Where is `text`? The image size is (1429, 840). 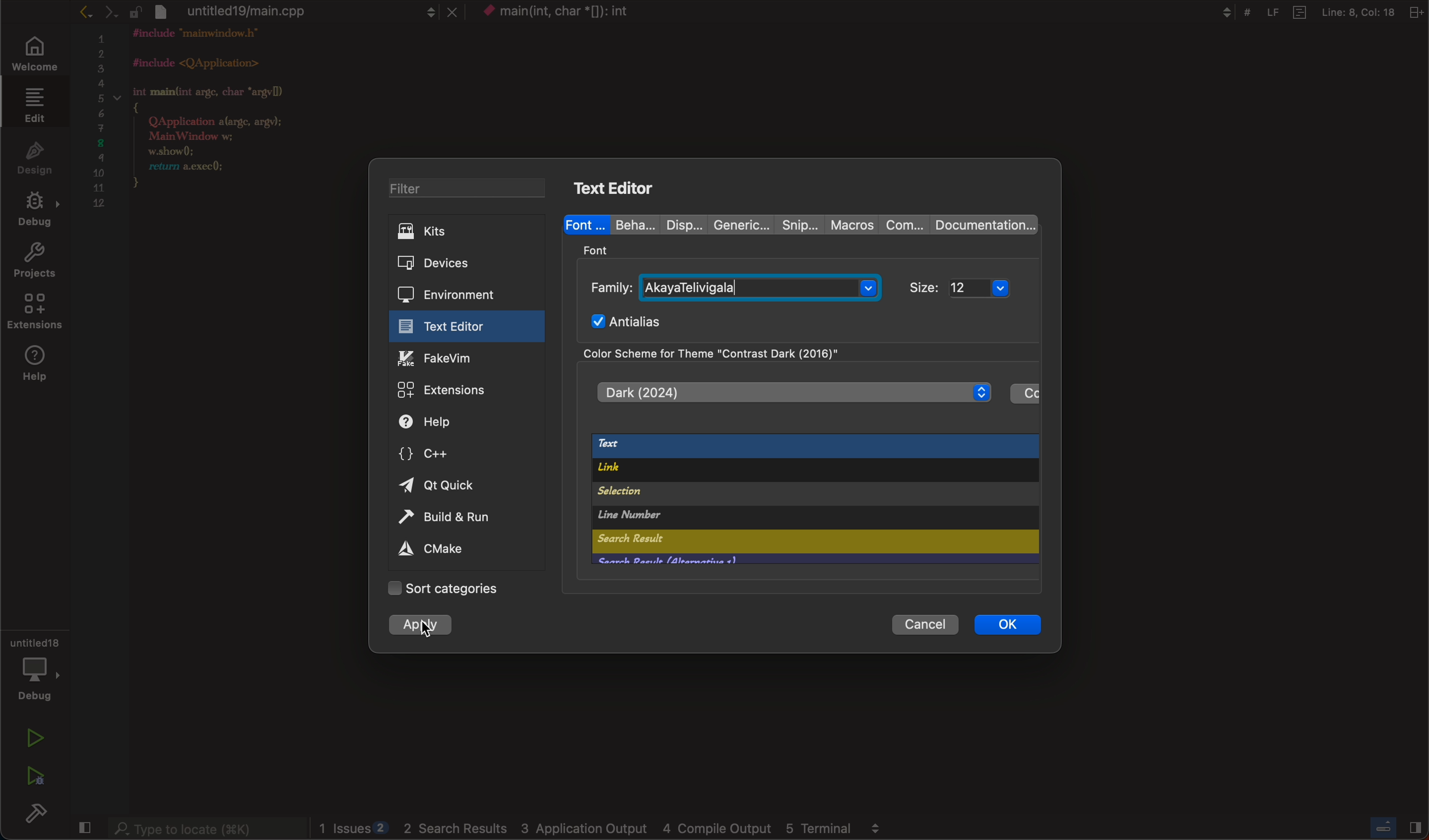
text is located at coordinates (811, 447).